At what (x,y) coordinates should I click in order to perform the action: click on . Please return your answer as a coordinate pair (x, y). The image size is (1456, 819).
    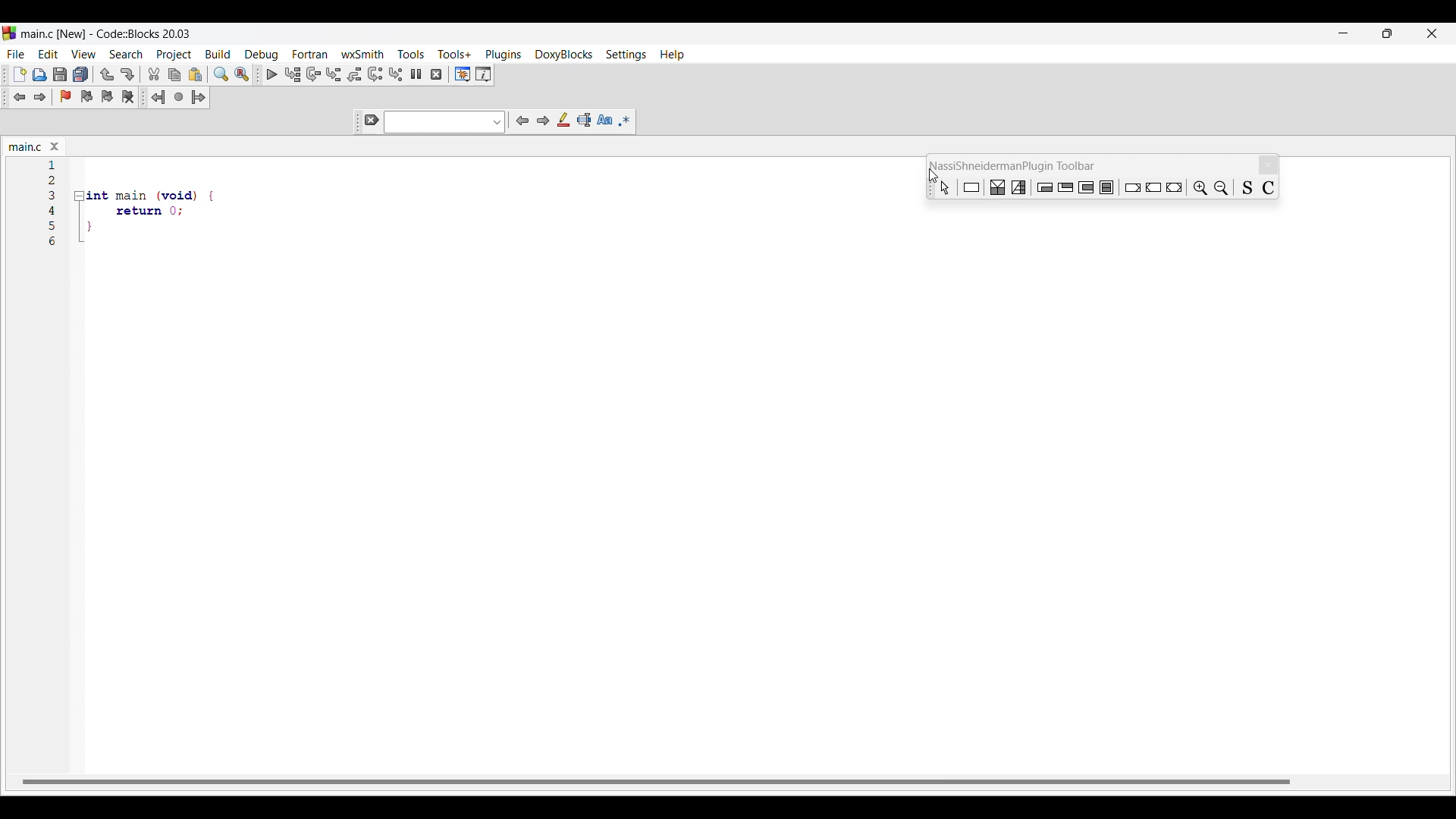
    Looking at the image, I should click on (941, 187).